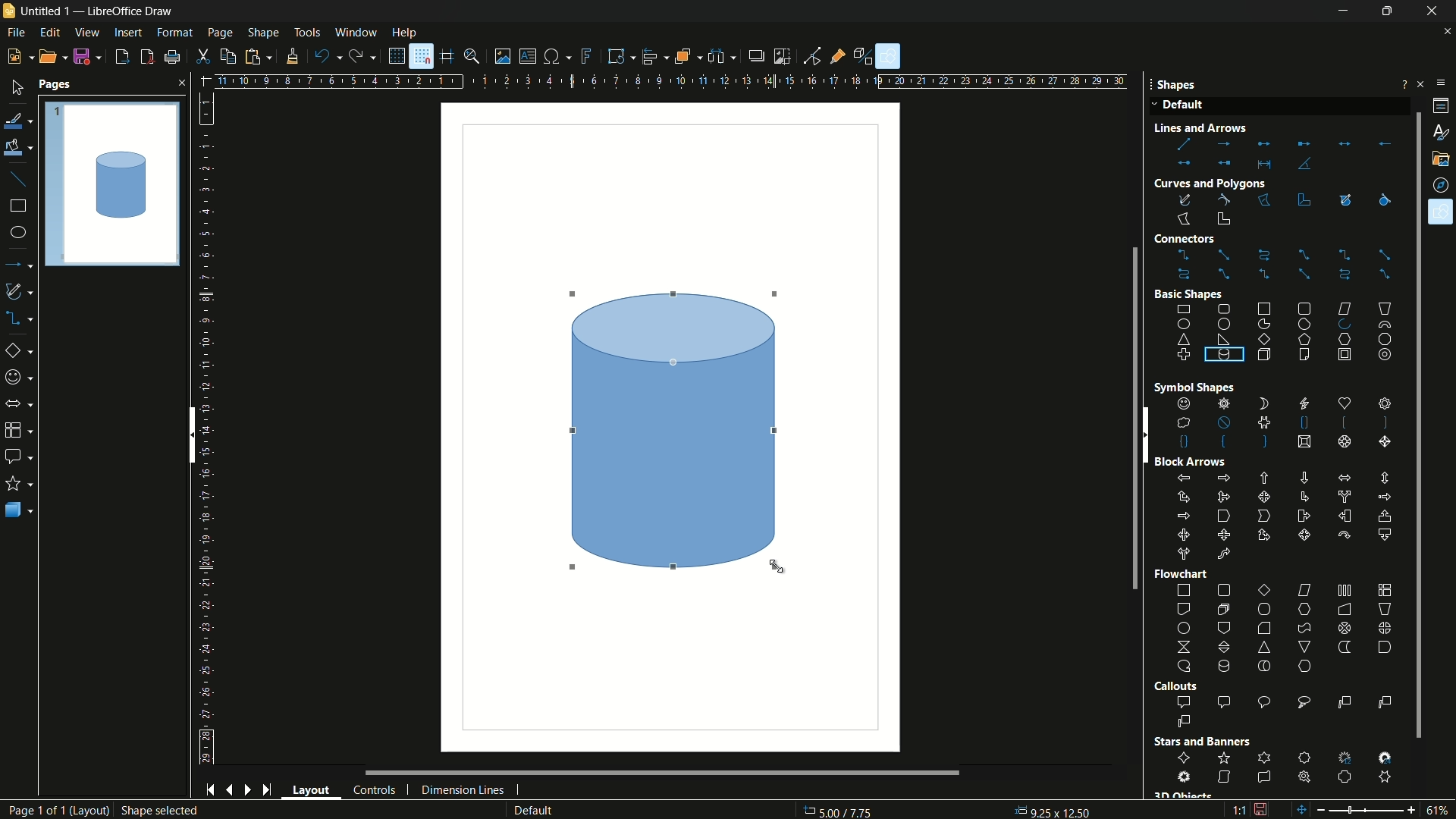  I want to click on tools menu, so click(307, 33).